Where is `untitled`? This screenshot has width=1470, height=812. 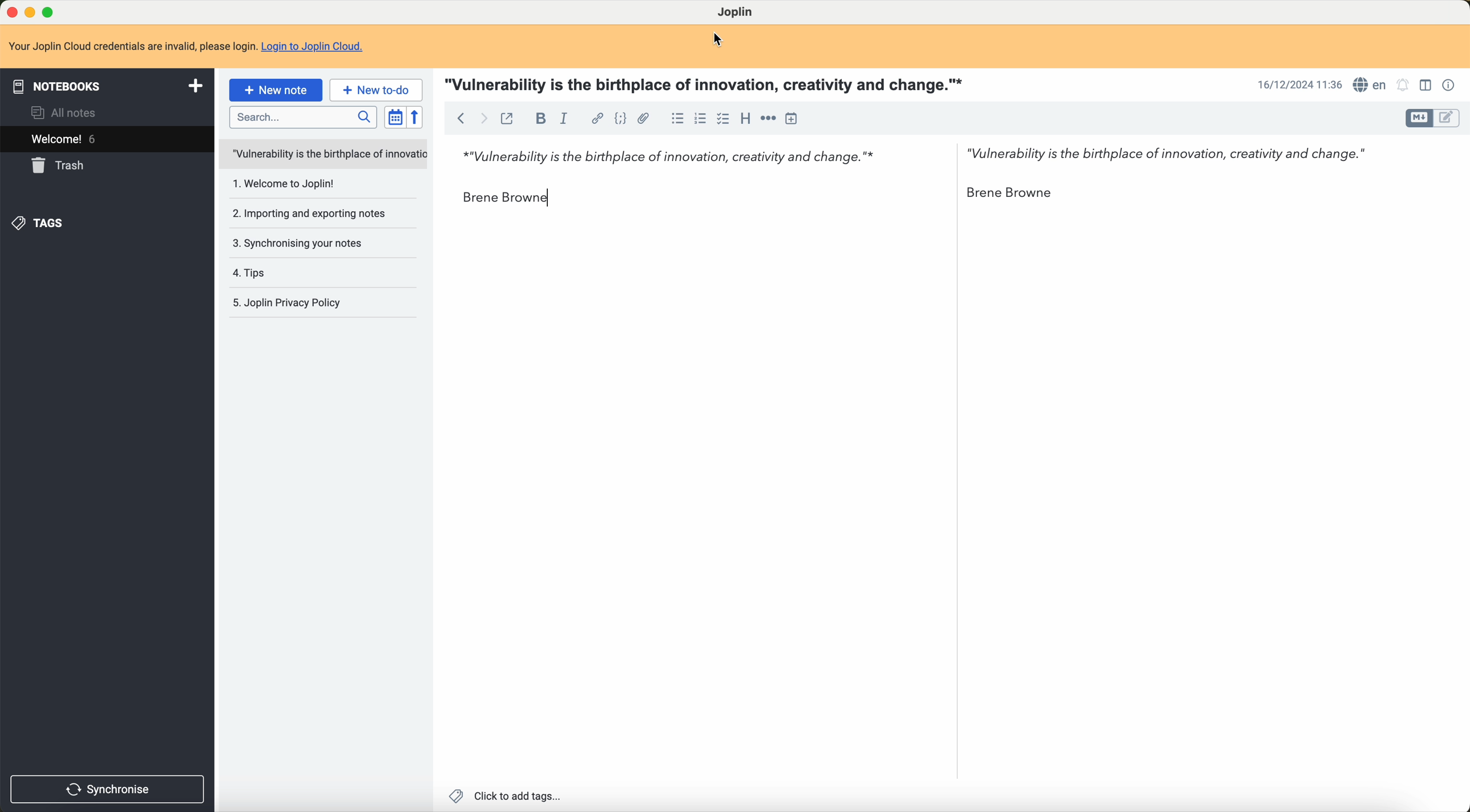
untitled is located at coordinates (322, 155).